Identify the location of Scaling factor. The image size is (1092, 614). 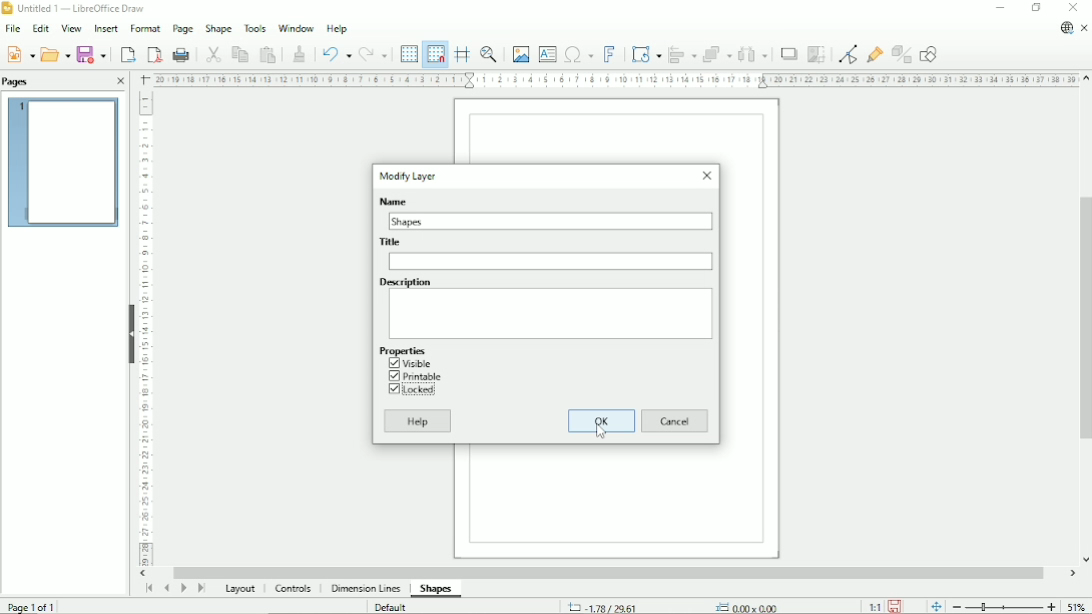
(874, 606).